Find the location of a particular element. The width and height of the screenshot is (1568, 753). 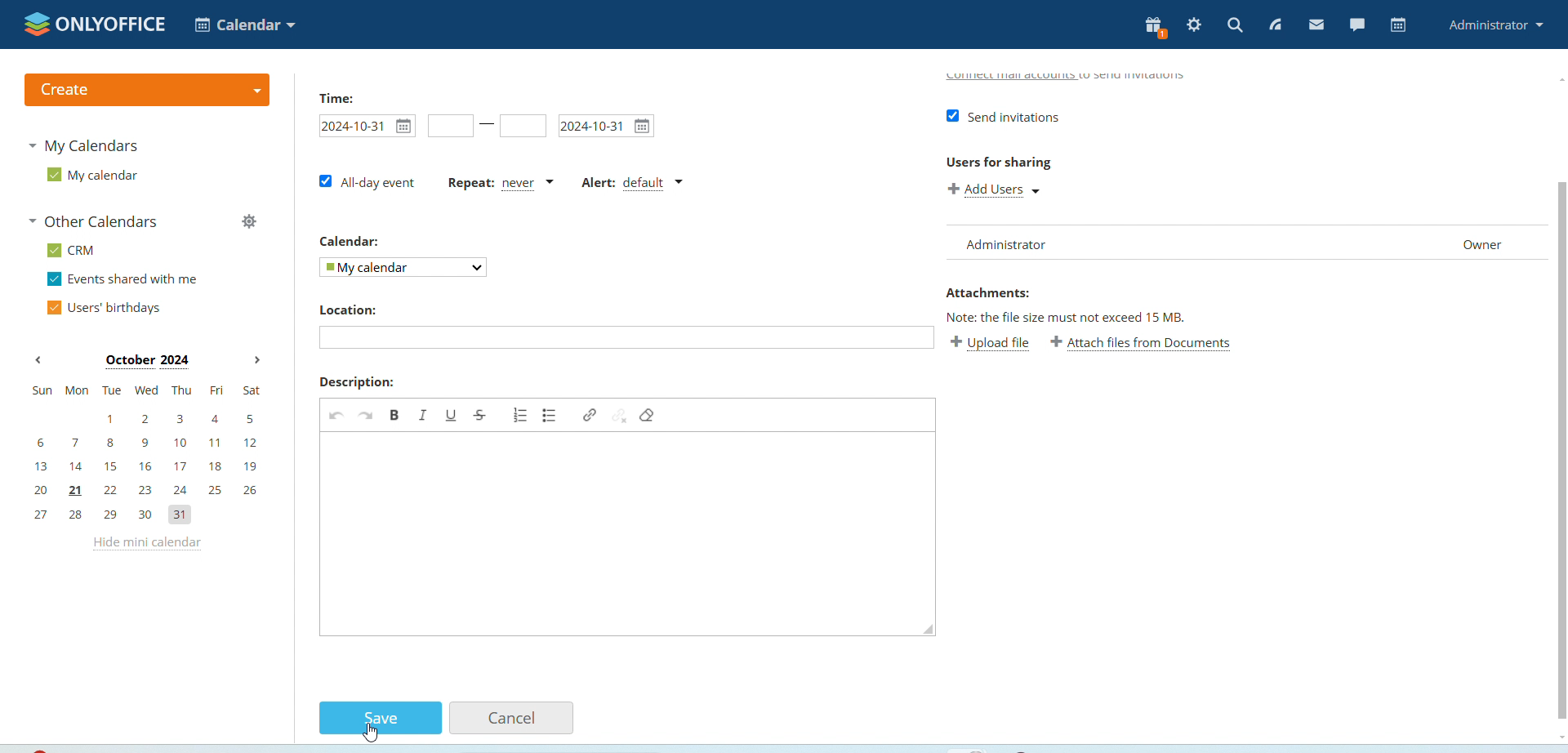

next month is located at coordinates (256, 360).